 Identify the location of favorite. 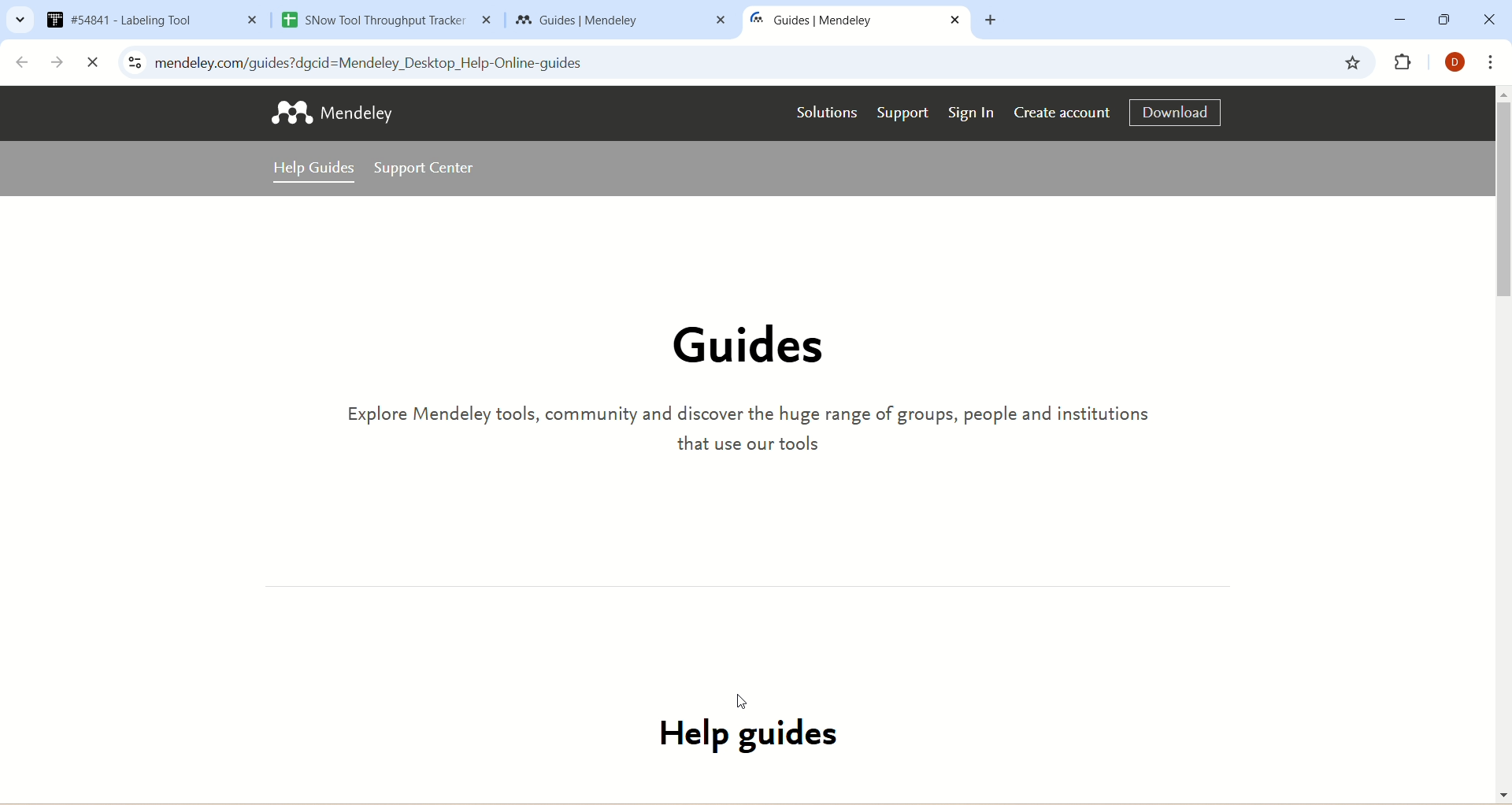
(1353, 64).